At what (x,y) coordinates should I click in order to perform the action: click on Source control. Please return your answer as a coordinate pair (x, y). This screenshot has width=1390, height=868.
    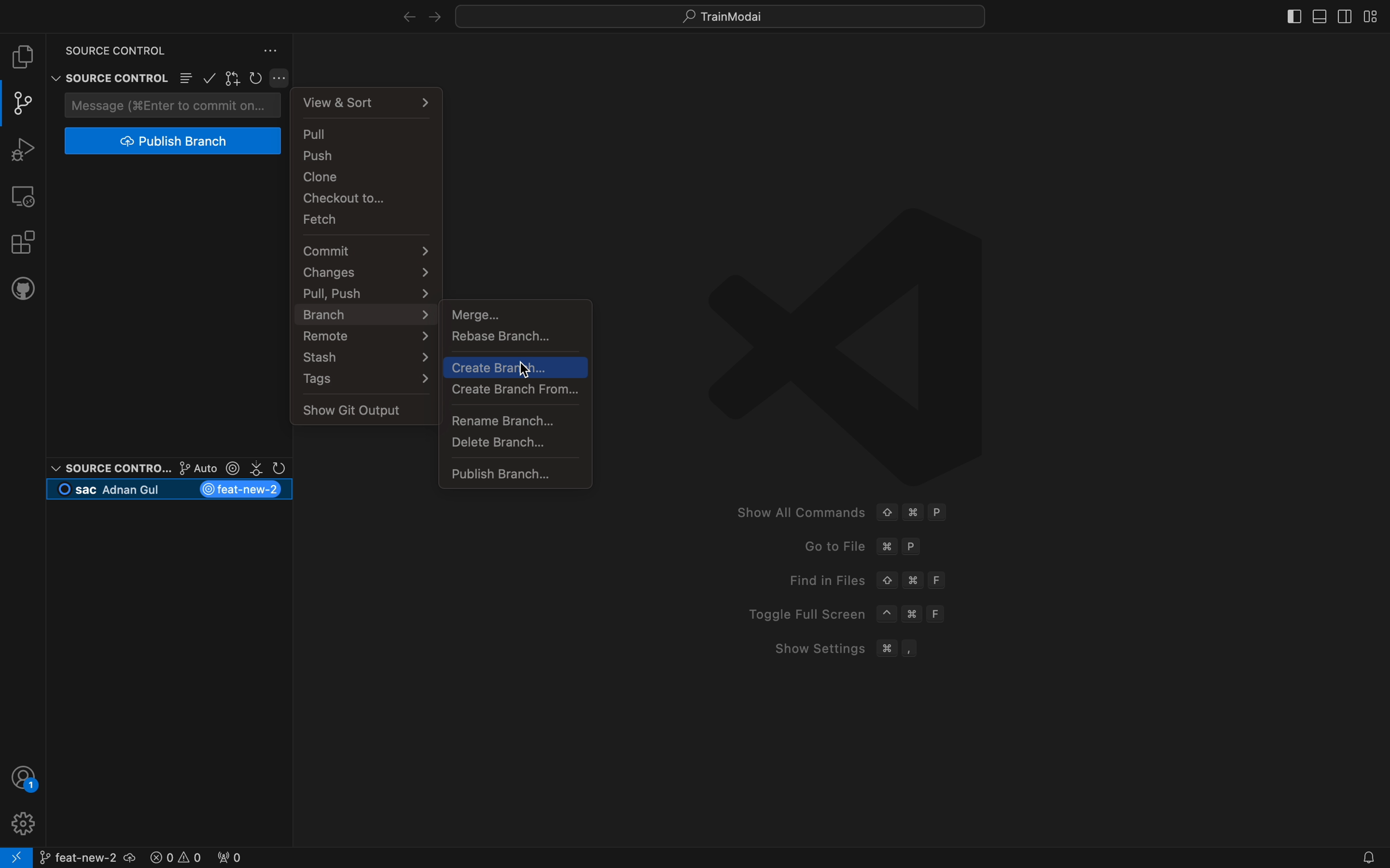
    Looking at the image, I should click on (108, 467).